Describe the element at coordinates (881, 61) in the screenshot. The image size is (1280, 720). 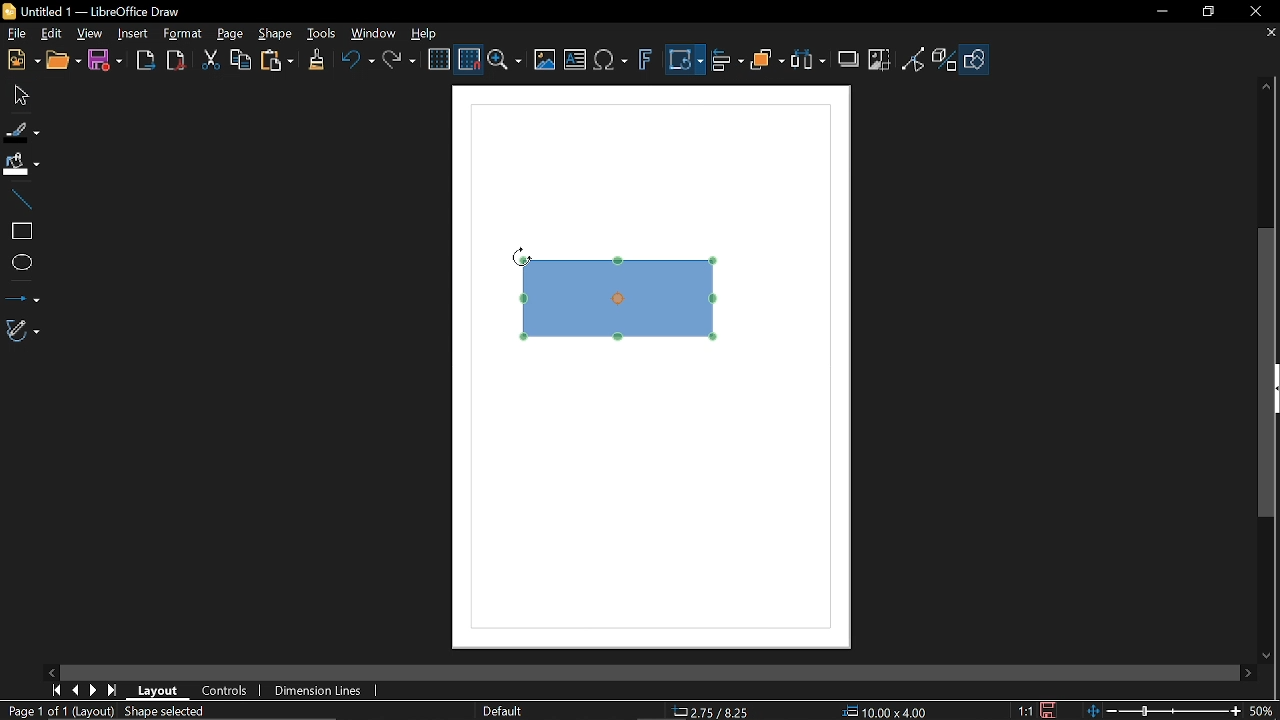
I see `Crop` at that location.